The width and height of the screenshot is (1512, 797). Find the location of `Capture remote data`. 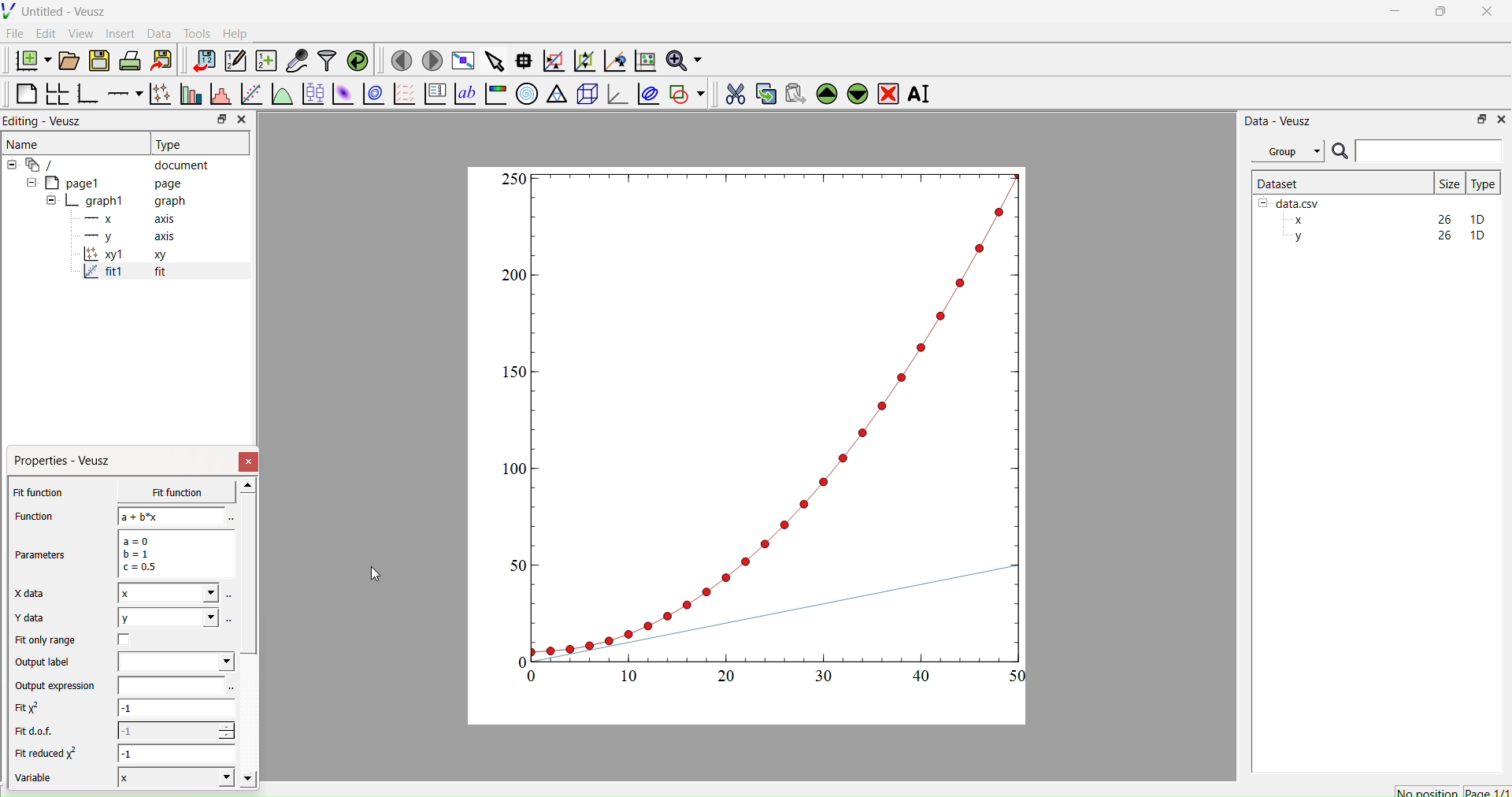

Capture remote data is located at coordinates (297, 61).